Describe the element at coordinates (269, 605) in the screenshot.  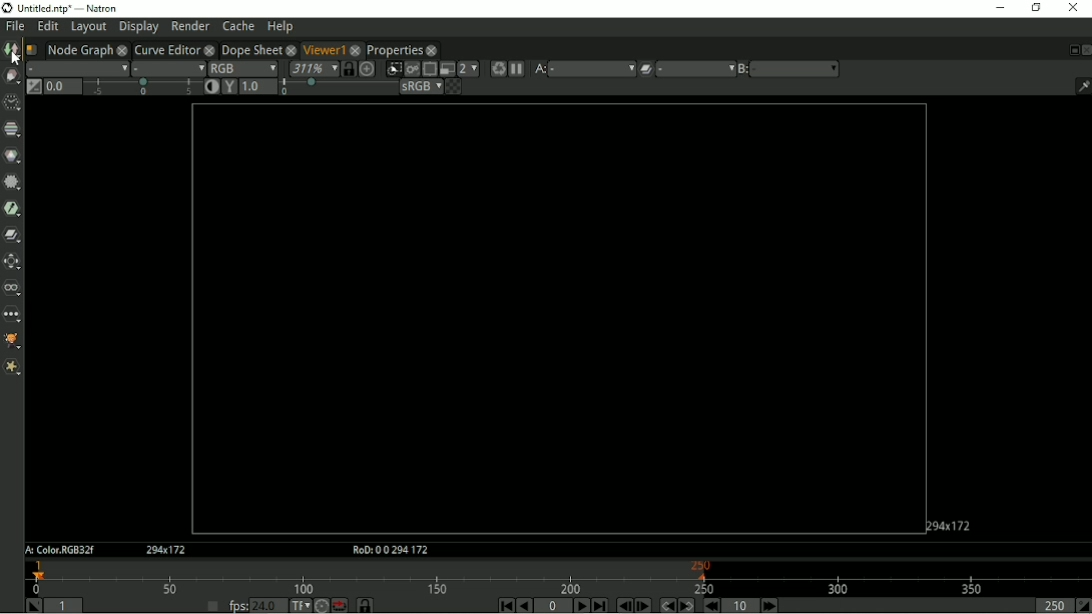
I see `24` at that location.